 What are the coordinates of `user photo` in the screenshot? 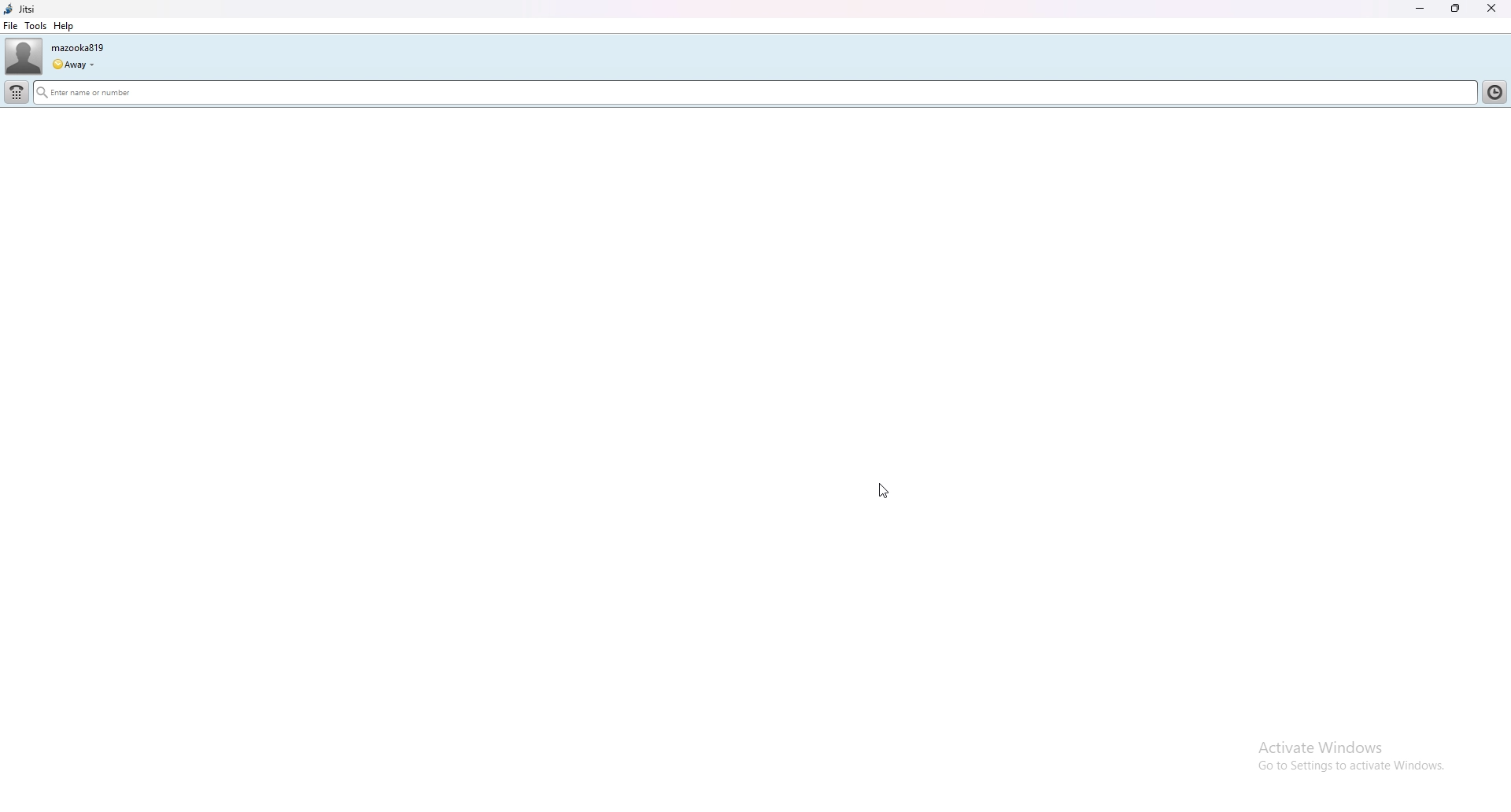 It's located at (24, 57).